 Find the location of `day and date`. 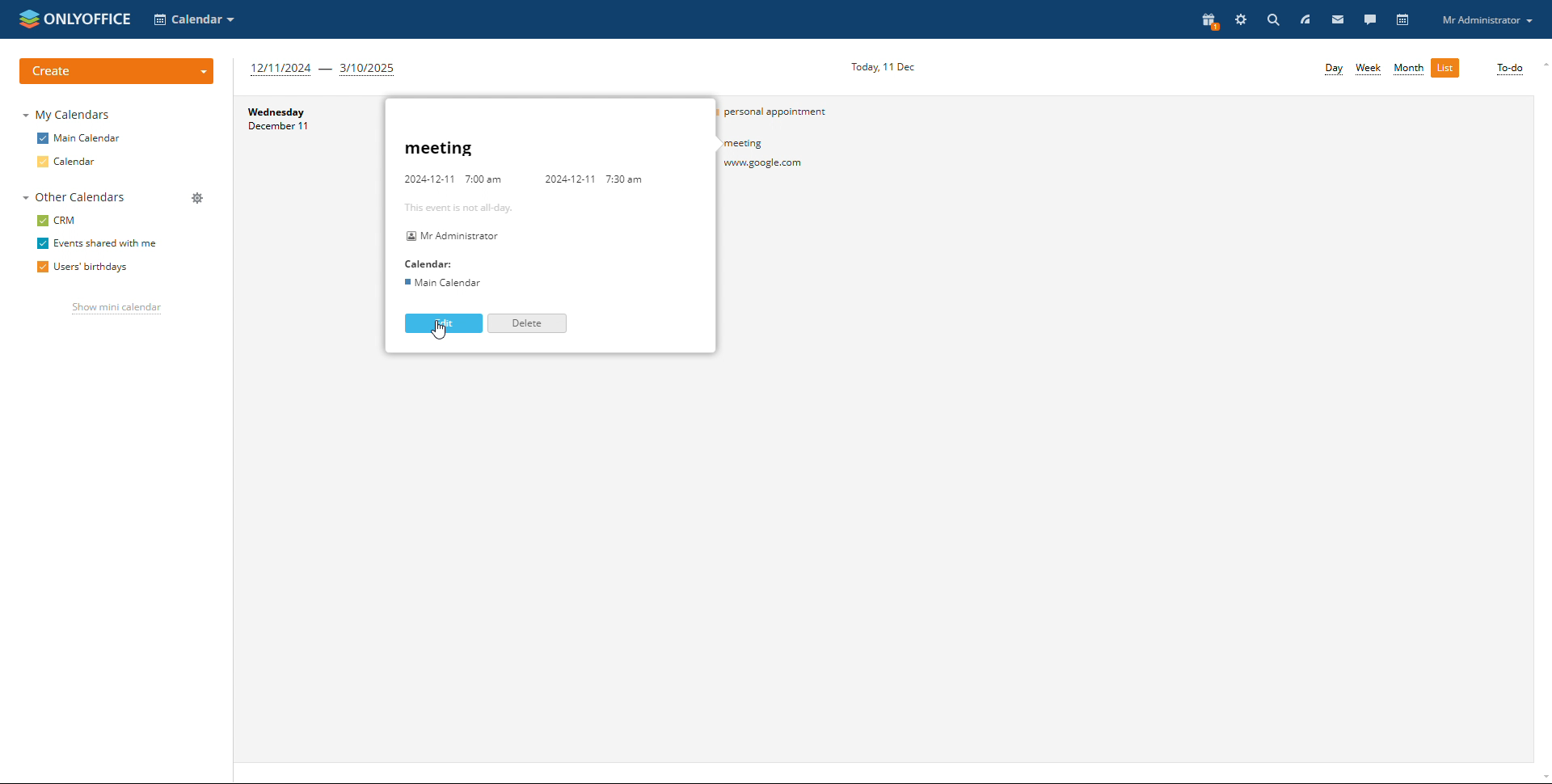

day and date is located at coordinates (288, 120).